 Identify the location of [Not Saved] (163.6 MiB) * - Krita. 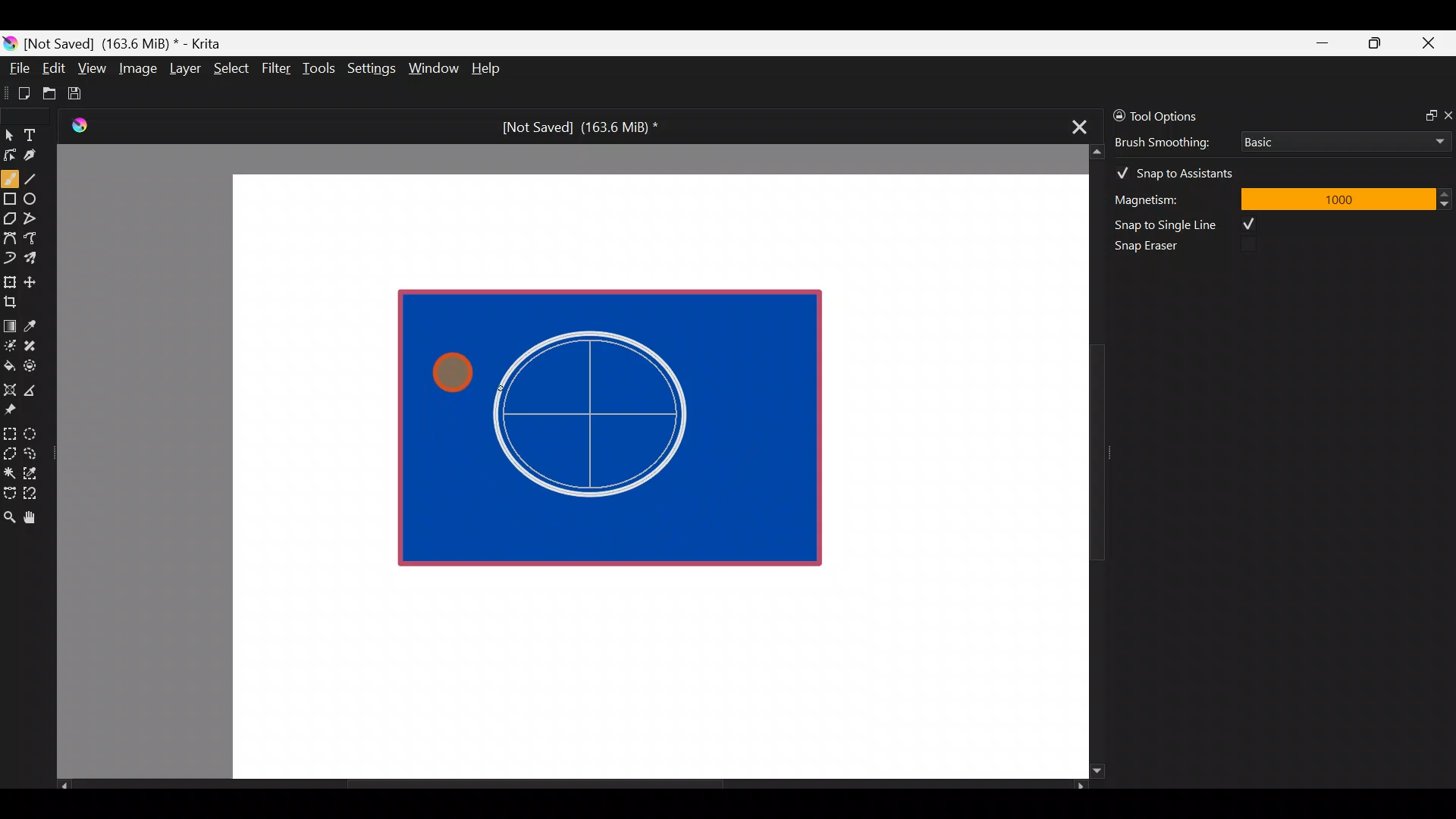
(130, 42).